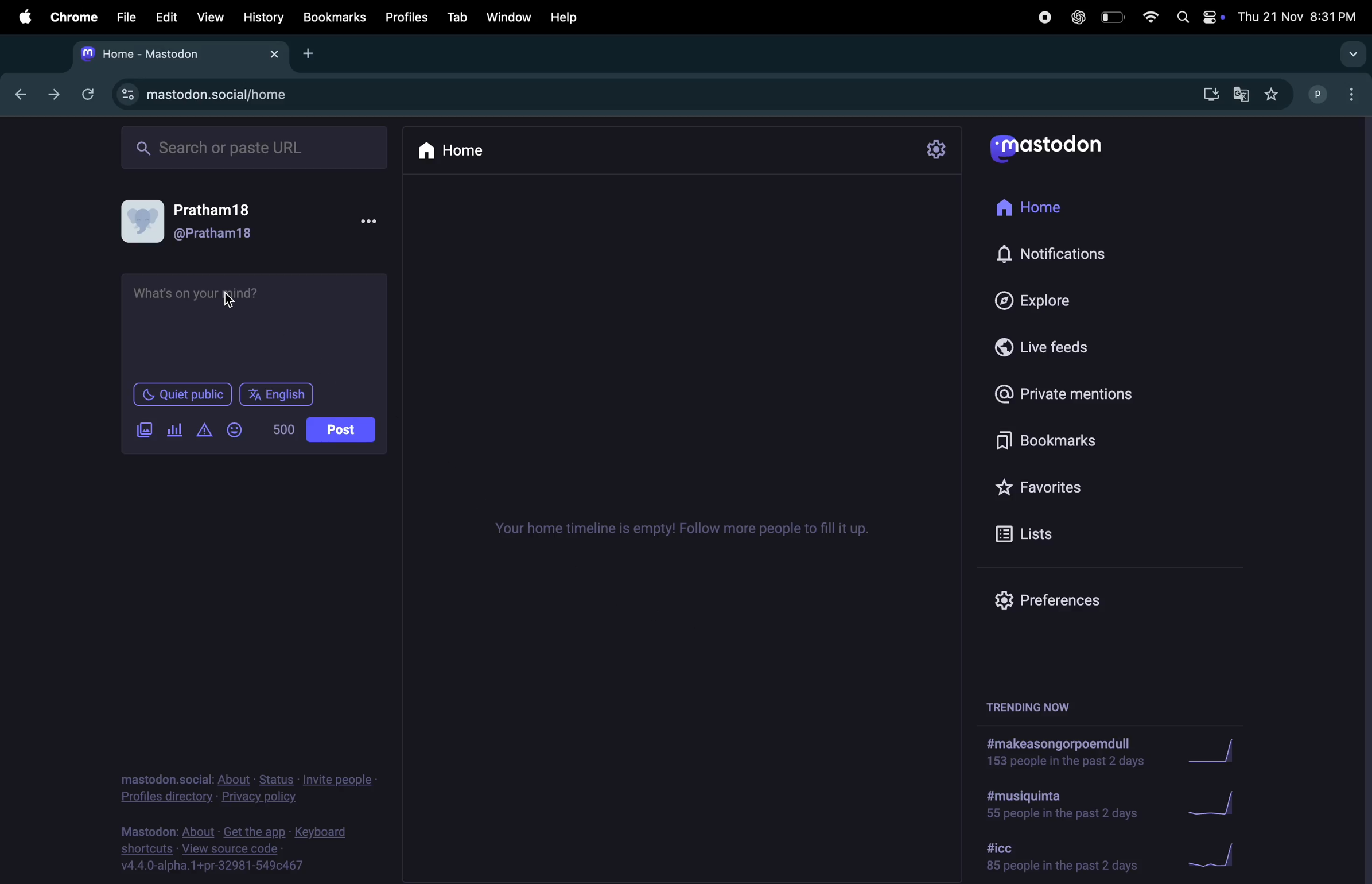 This screenshot has height=884, width=1372. I want to click on close, so click(273, 55).